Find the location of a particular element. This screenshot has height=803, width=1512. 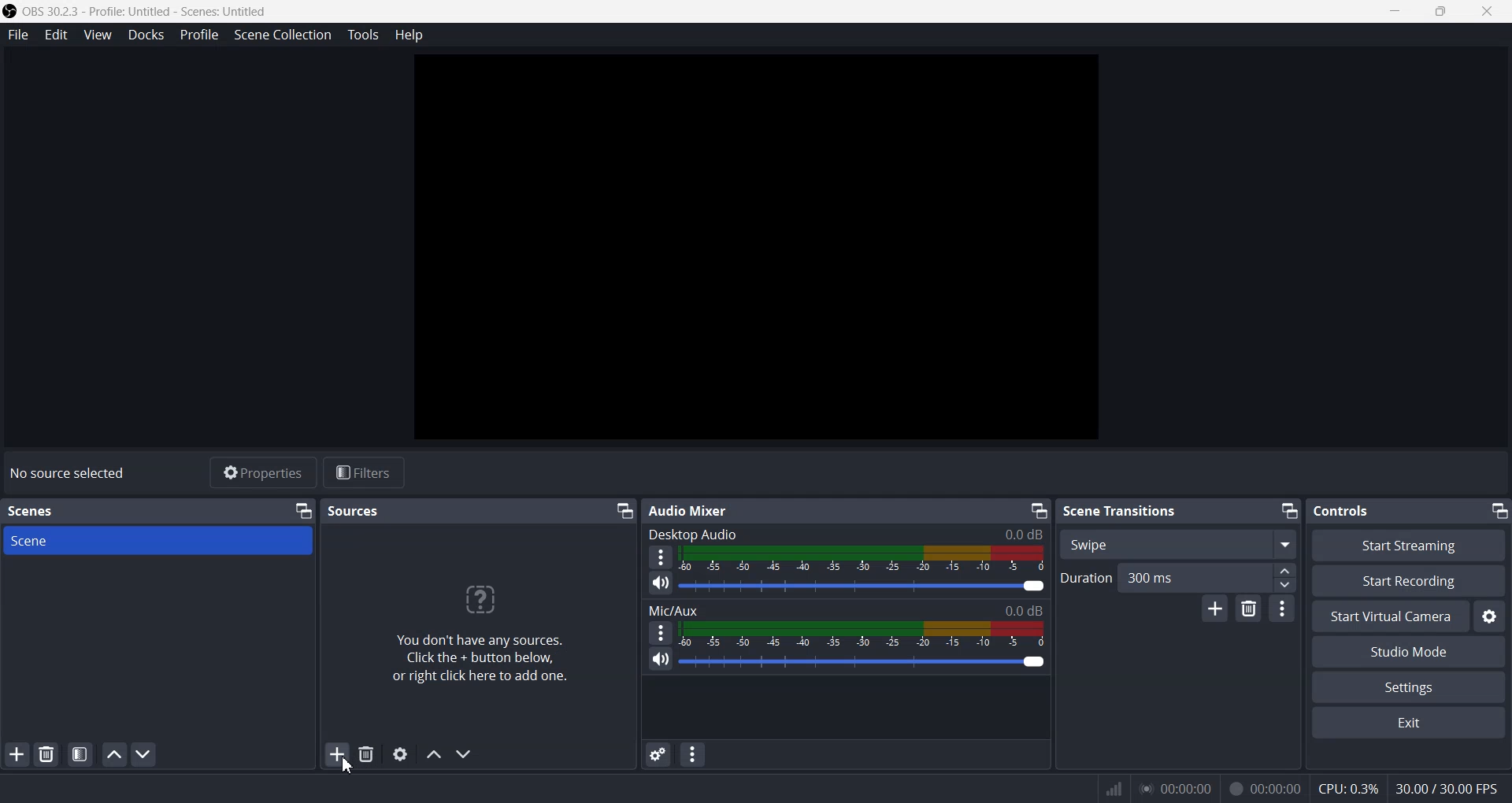

Open scene Filter is located at coordinates (80, 754).